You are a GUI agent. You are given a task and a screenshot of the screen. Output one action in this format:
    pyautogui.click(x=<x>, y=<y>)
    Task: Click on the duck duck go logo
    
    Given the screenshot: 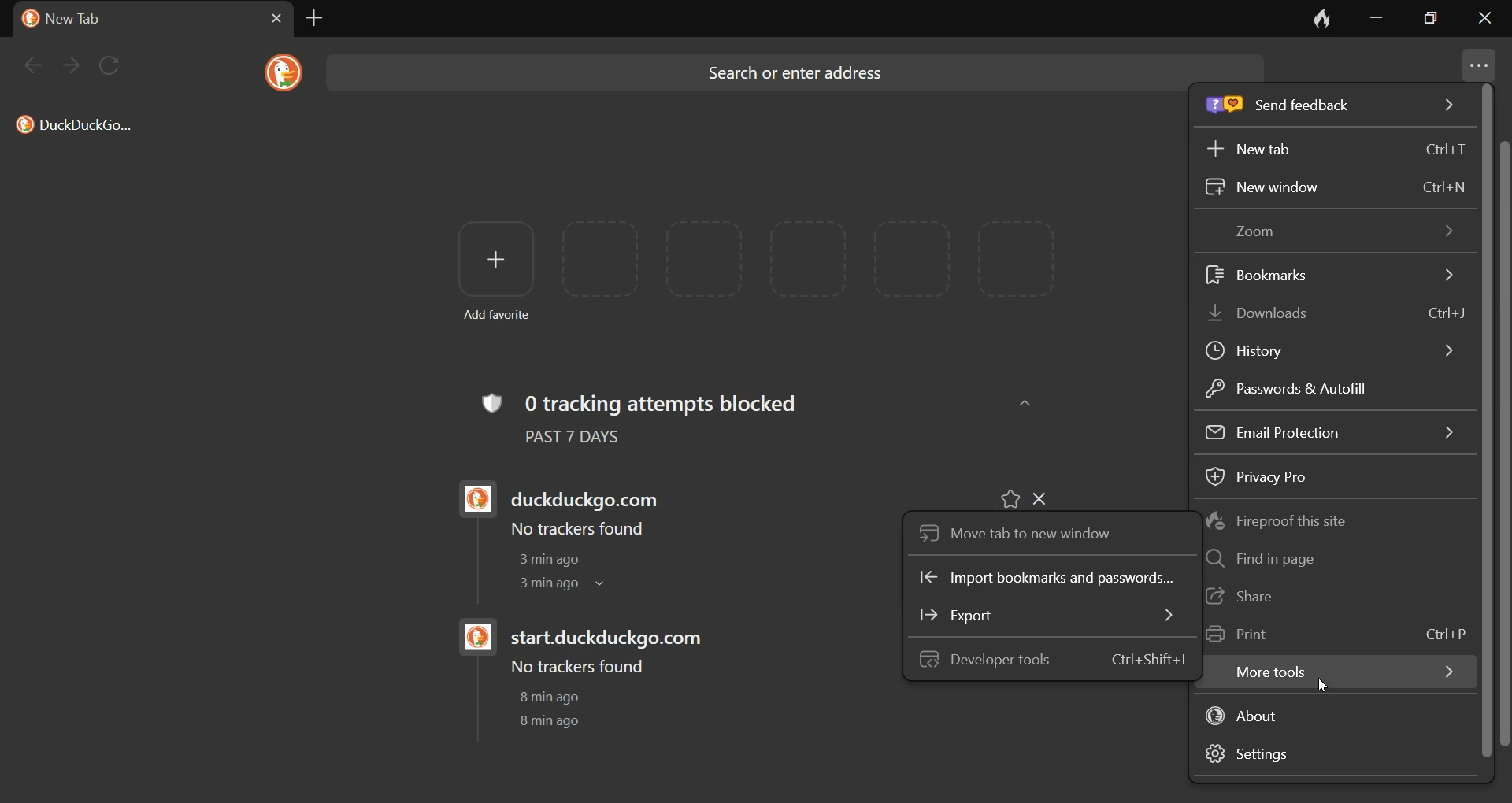 What is the action you would take?
    pyautogui.click(x=280, y=72)
    